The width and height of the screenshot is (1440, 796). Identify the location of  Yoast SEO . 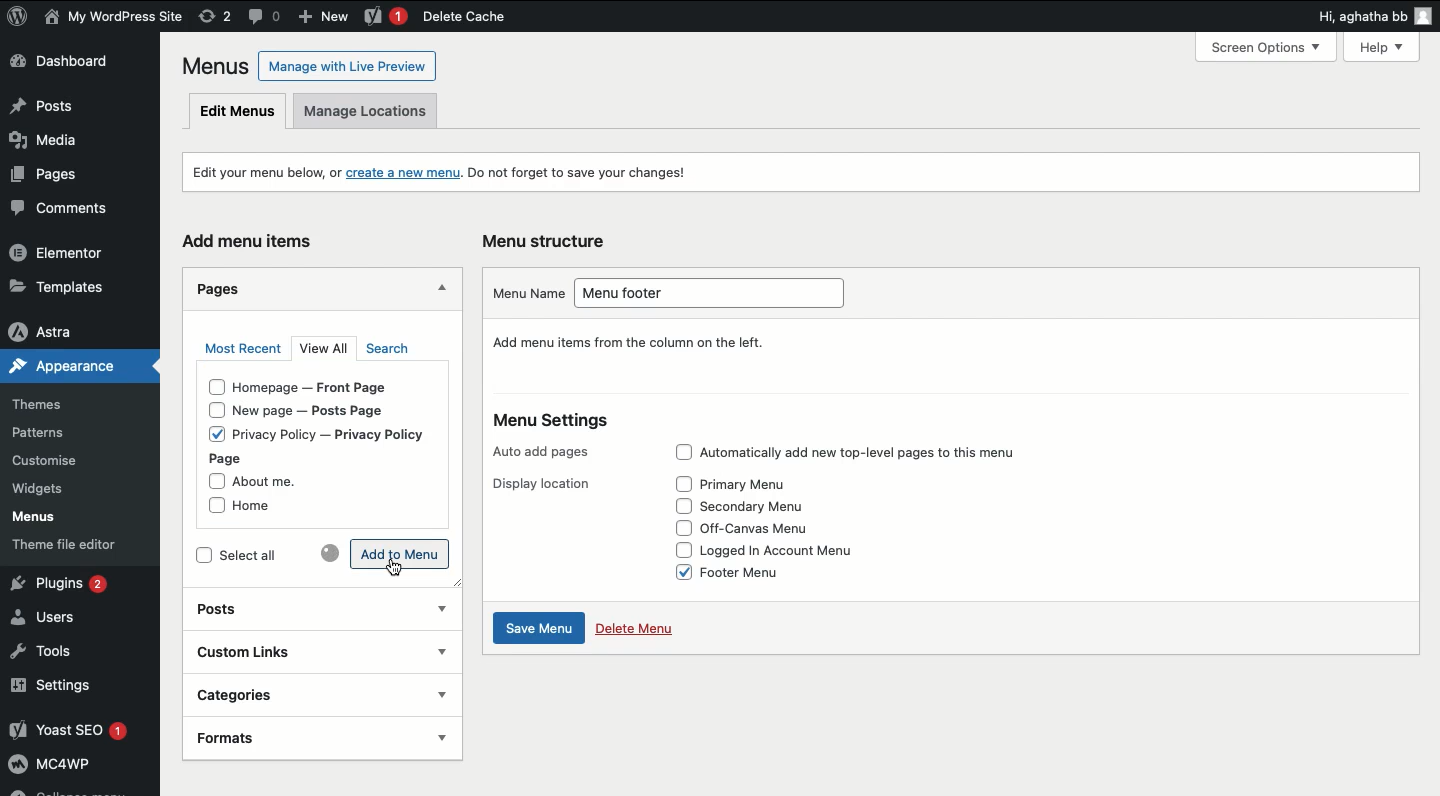
(78, 731).